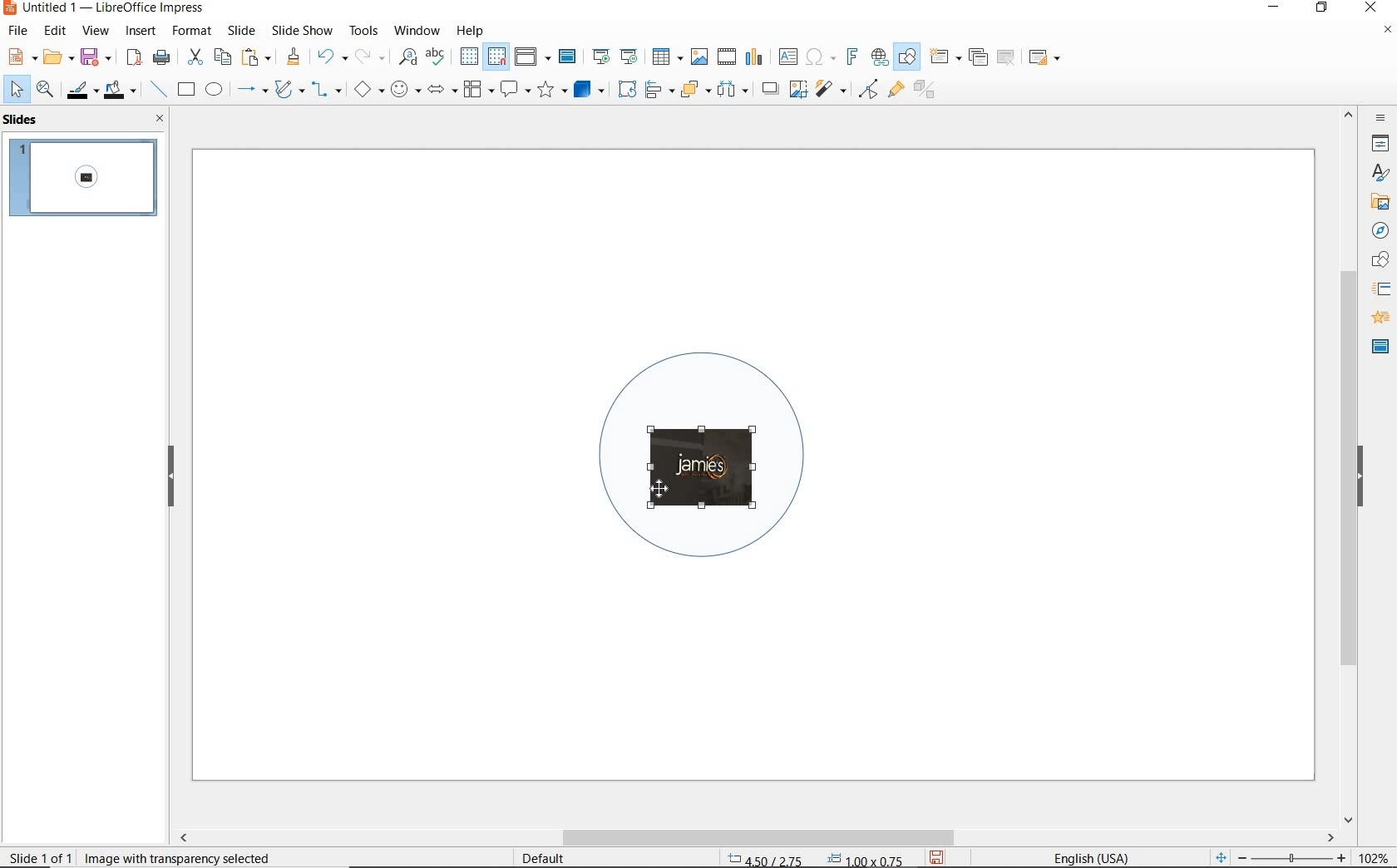  I want to click on filter, so click(868, 86).